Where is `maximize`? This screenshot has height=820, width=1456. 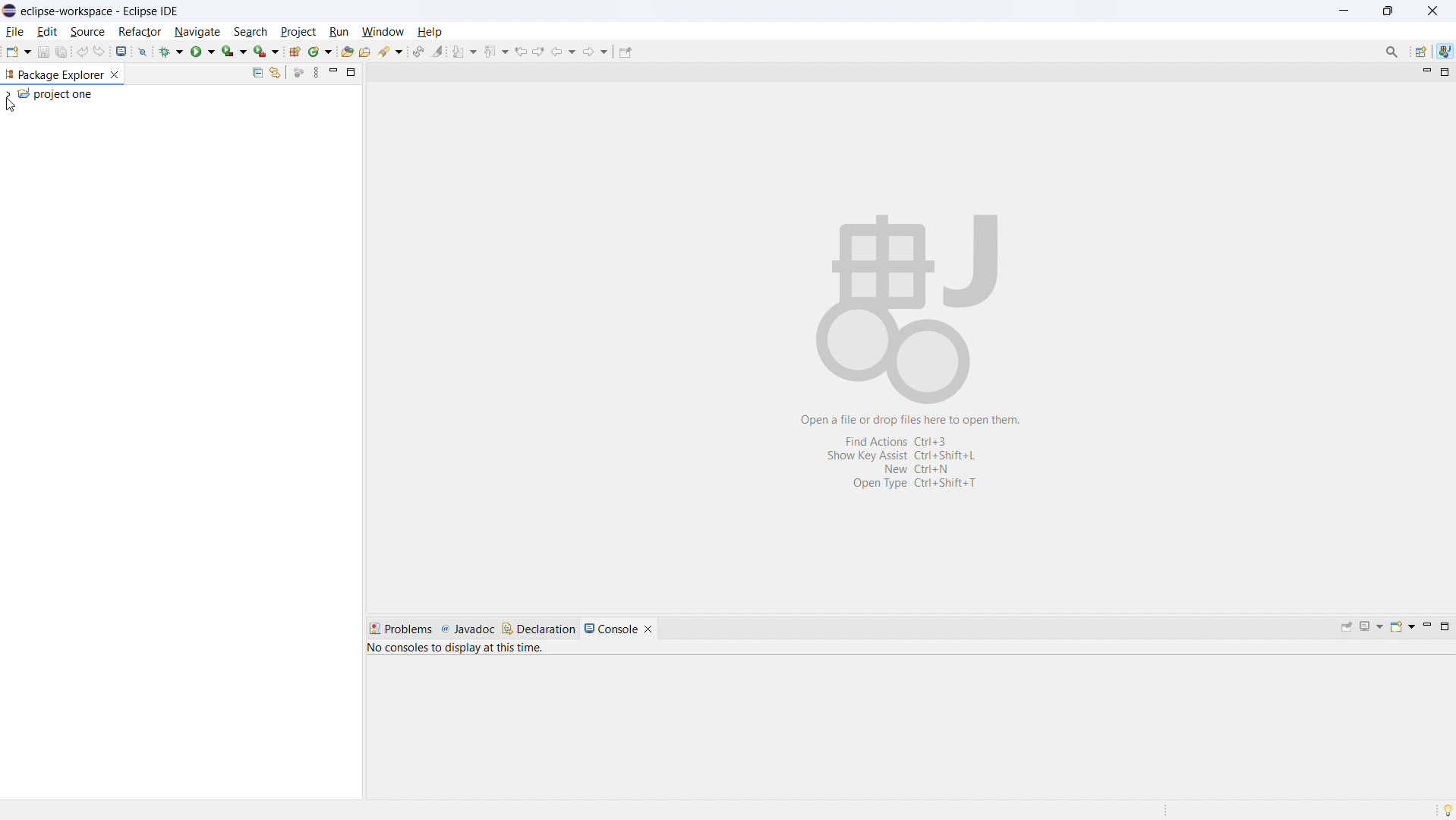
maximize is located at coordinates (351, 72).